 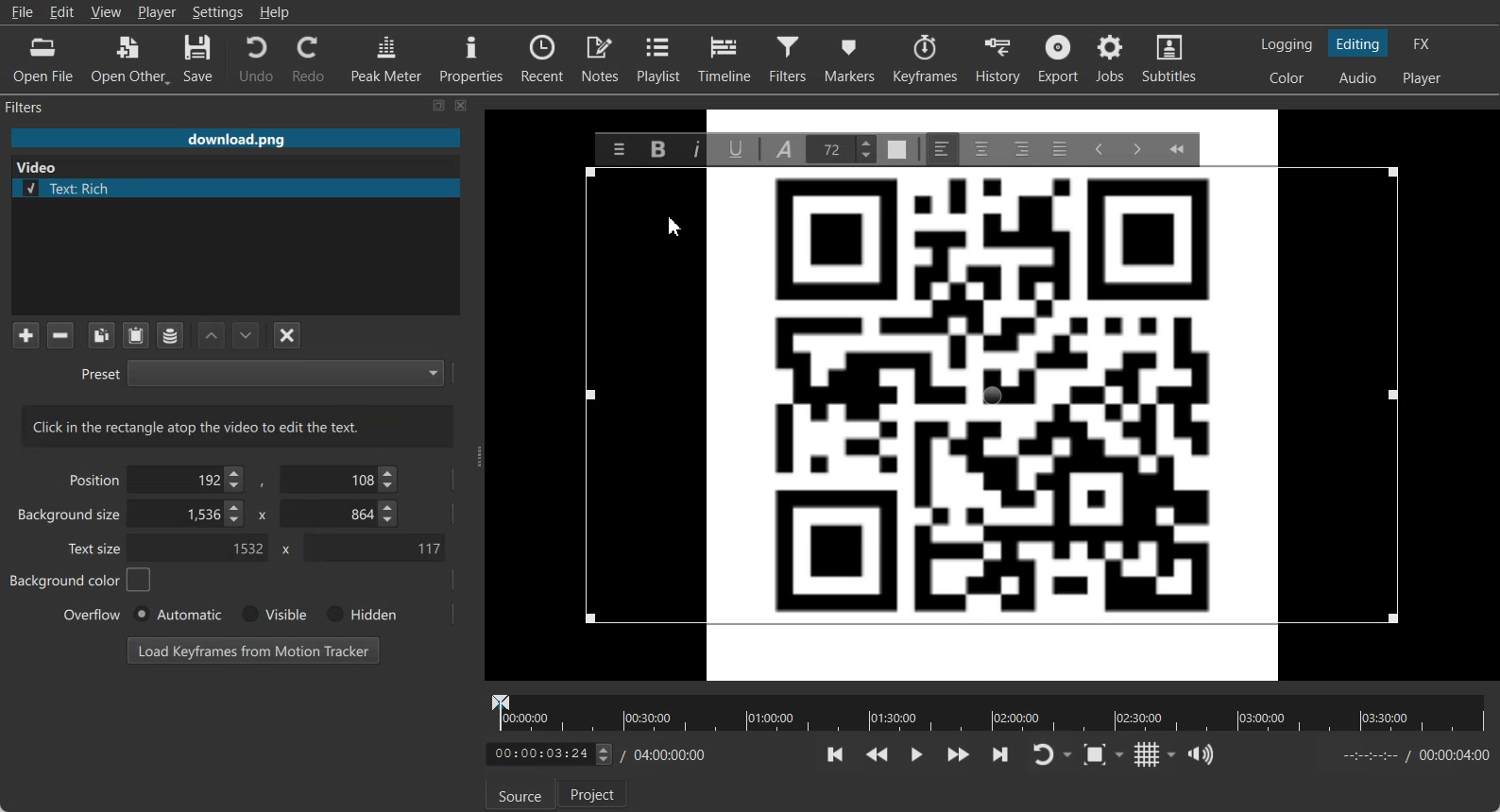 What do you see at coordinates (71, 518) in the screenshot?
I see `Background size` at bounding box center [71, 518].